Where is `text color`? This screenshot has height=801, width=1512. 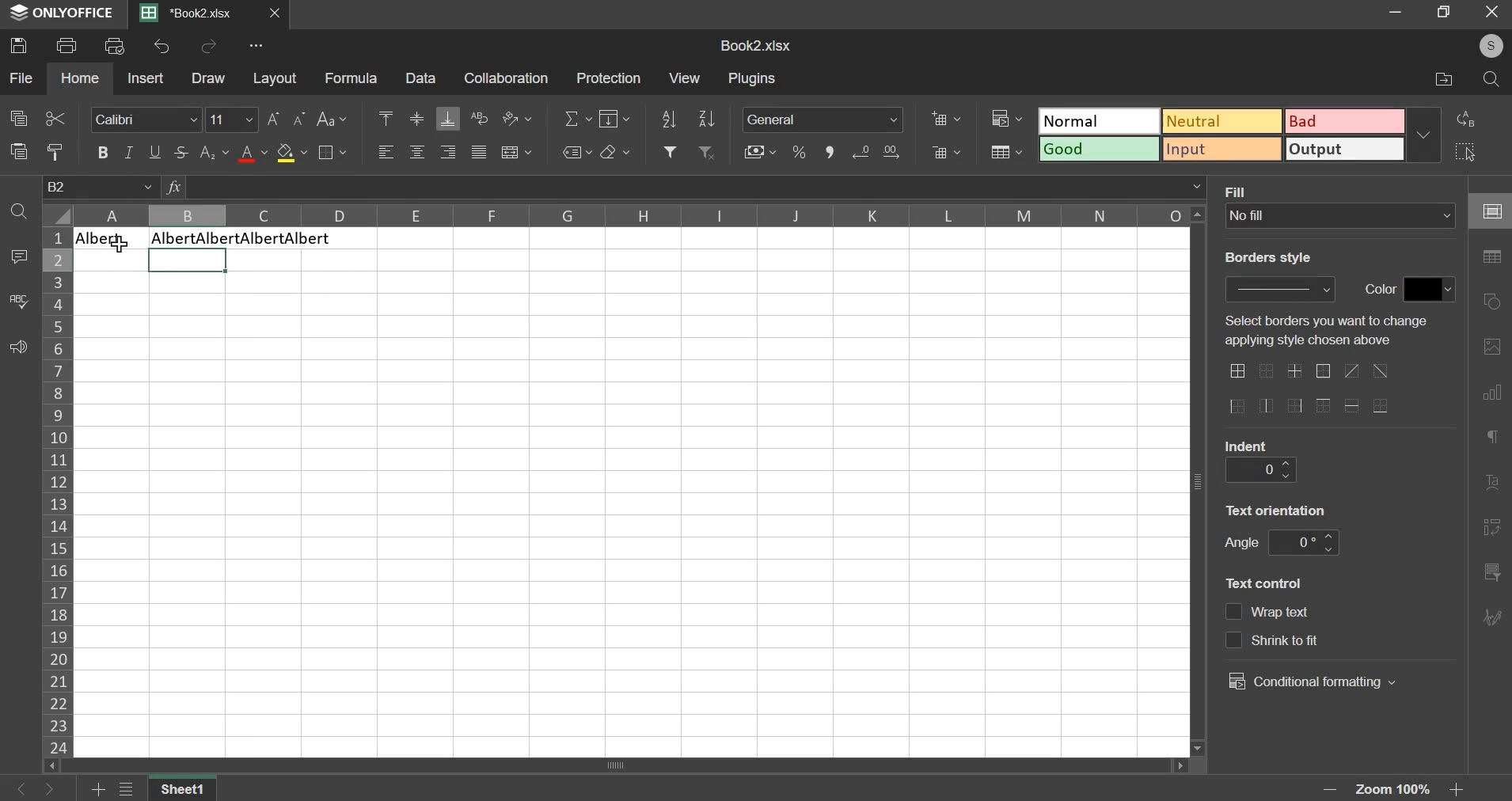
text color is located at coordinates (253, 154).